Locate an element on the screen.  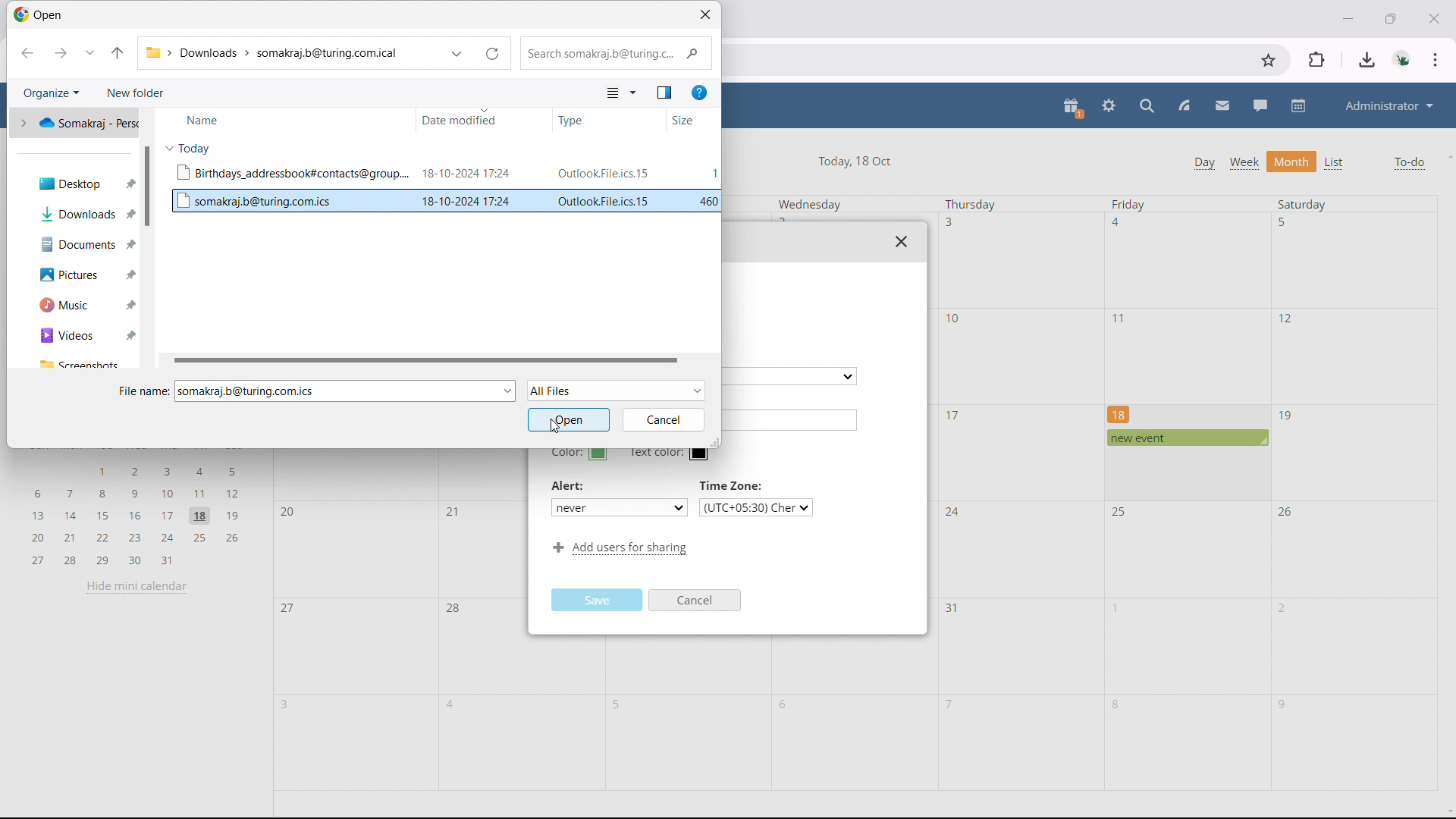
19 is located at coordinates (1287, 416).